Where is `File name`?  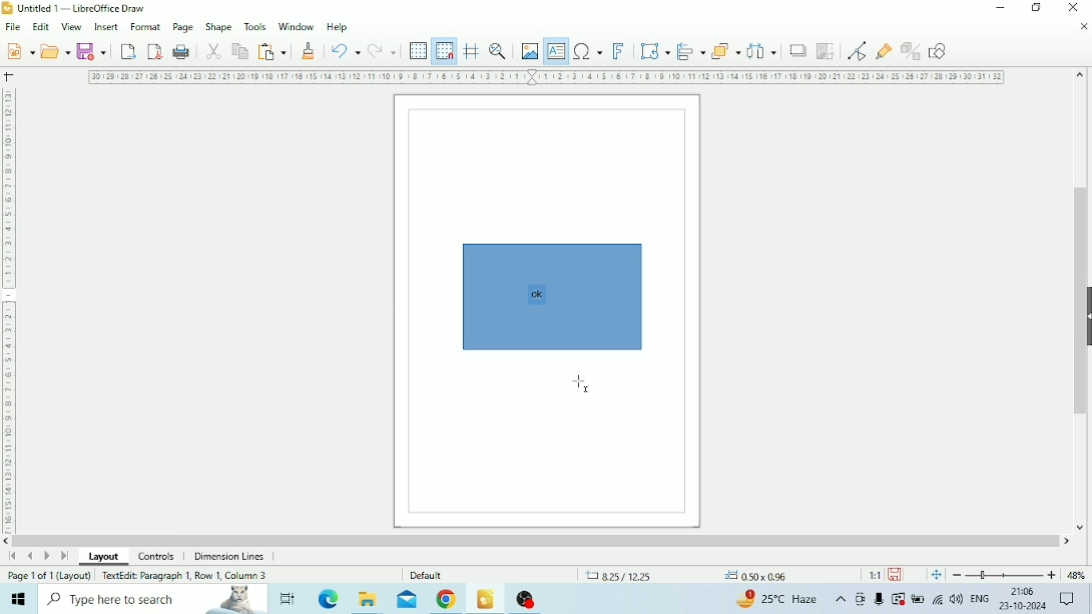
File name is located at coordinates (85, 8).